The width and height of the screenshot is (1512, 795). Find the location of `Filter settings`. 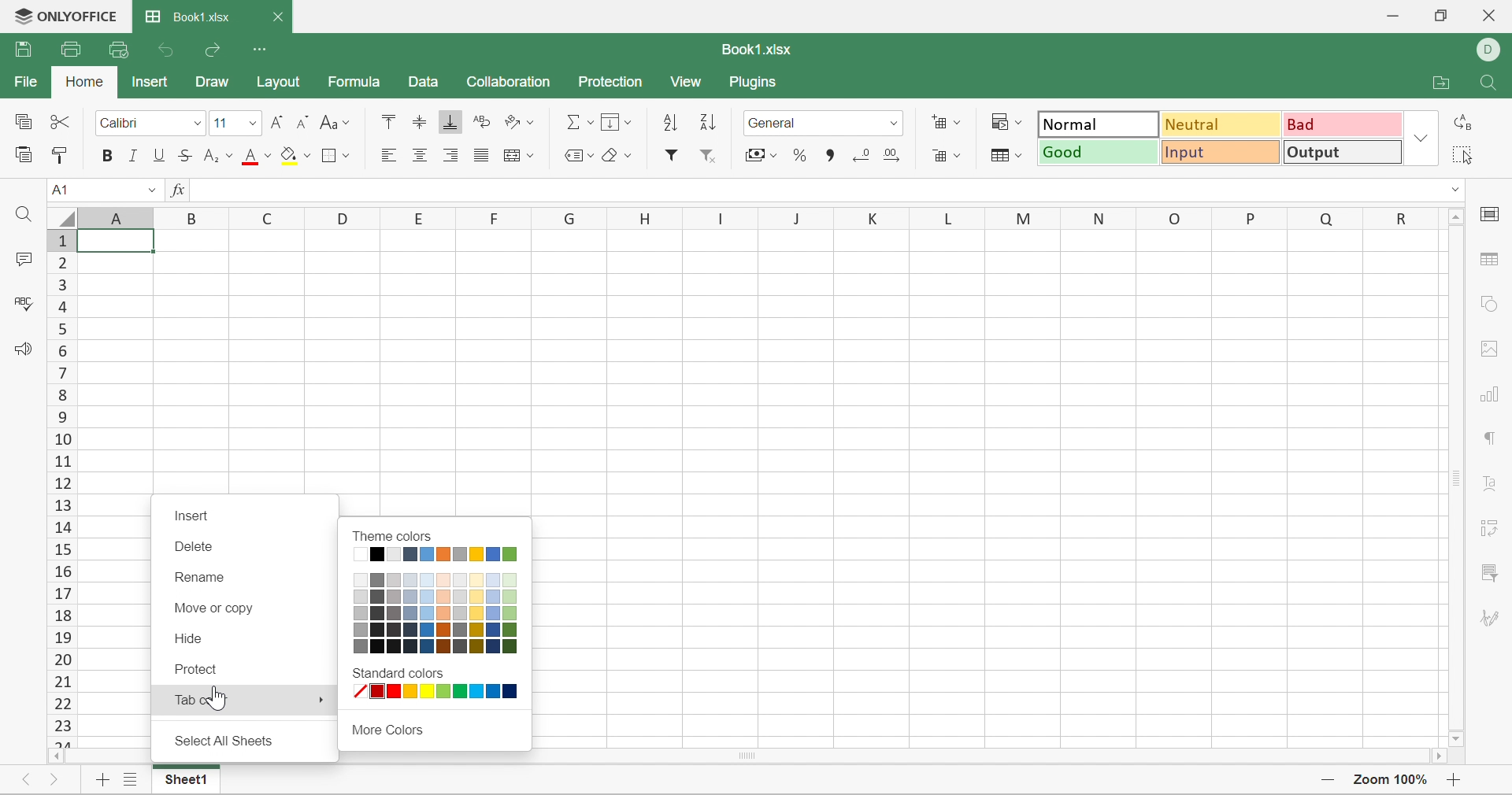

Filter settings is located at coordinates (1491, 571).